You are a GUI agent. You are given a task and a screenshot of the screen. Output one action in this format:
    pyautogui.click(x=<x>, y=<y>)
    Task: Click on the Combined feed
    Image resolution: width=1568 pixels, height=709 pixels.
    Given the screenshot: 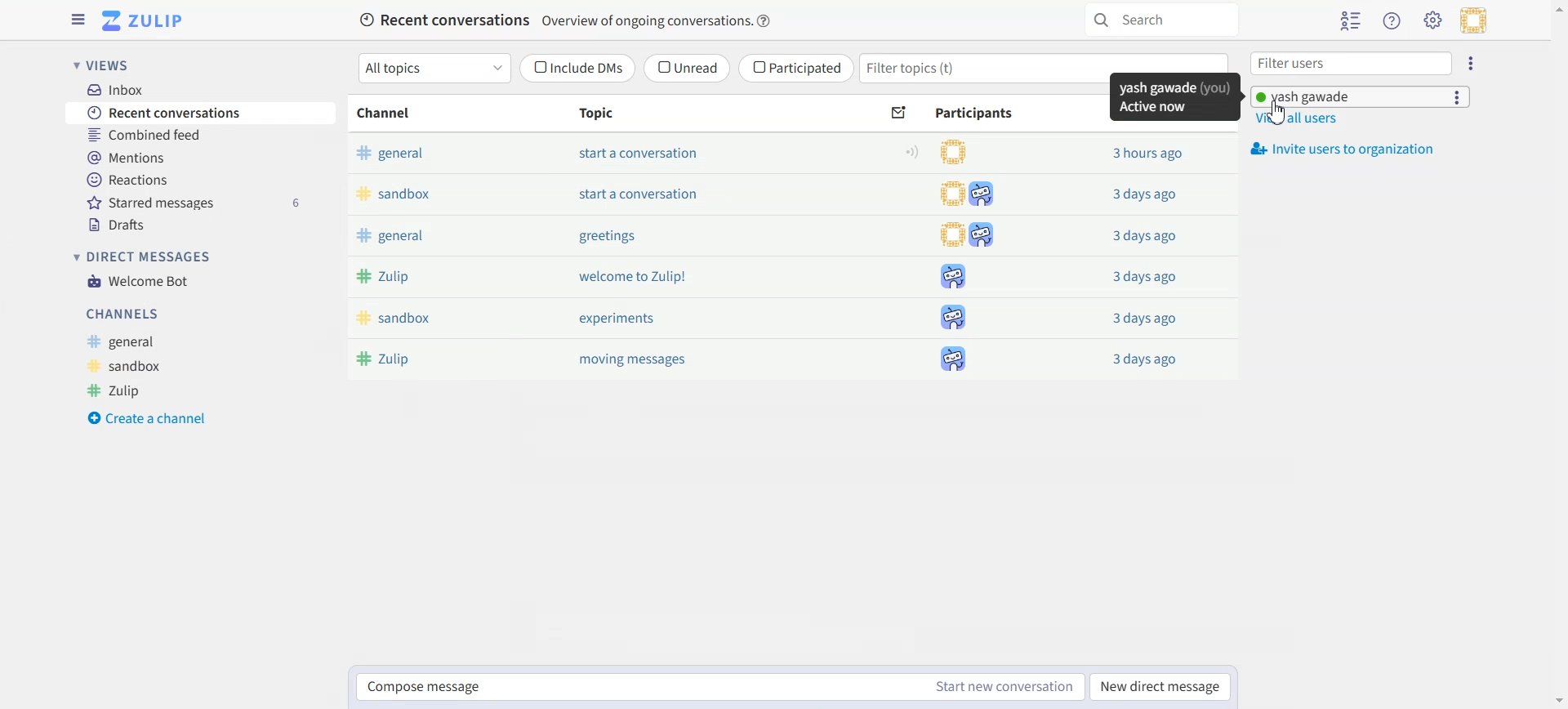 What is the action you would take?
    pyautogui.click(x=137, y=136)
    